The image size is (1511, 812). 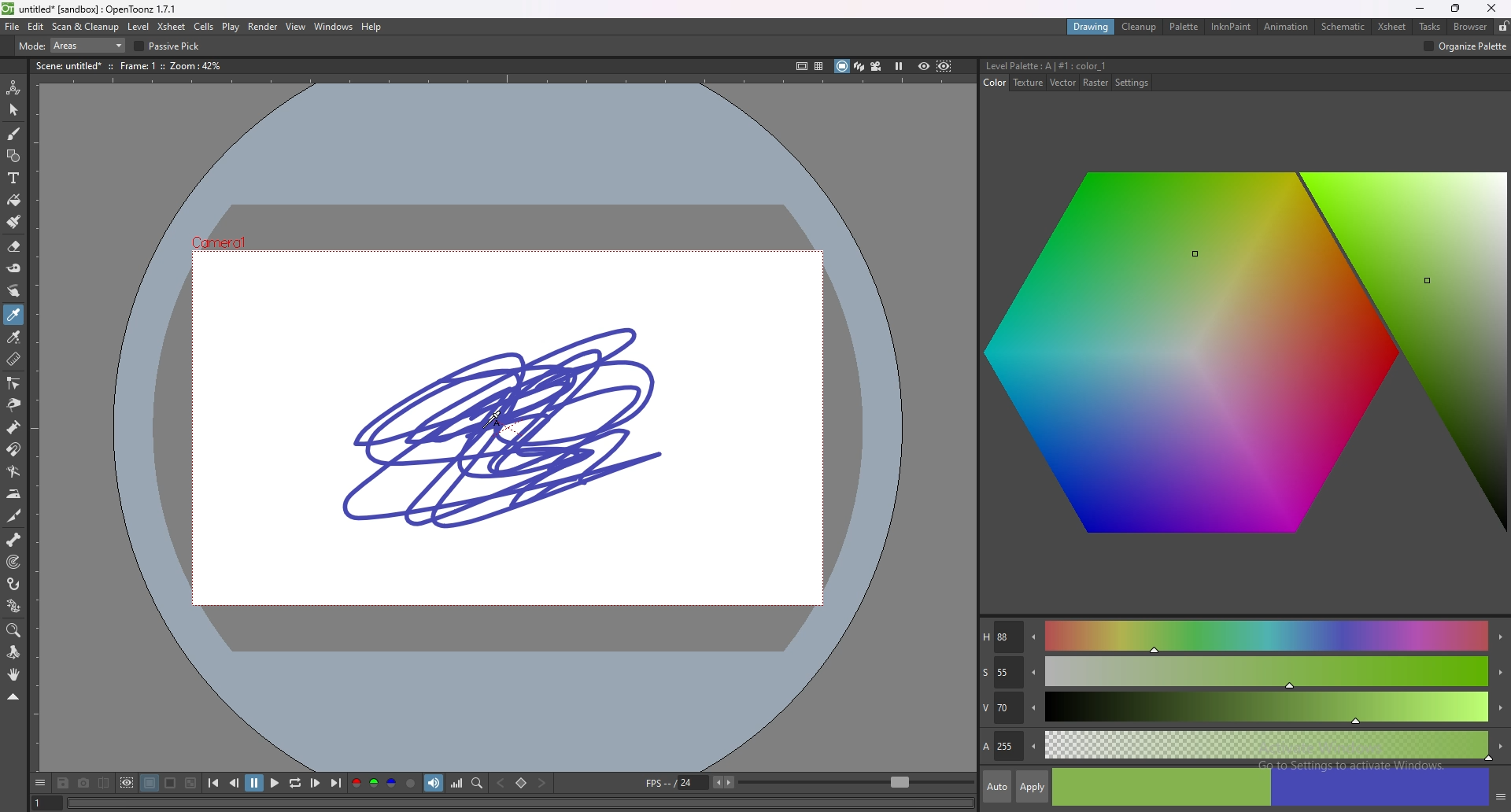 I want to click on windows, so click(x=334, y=26).